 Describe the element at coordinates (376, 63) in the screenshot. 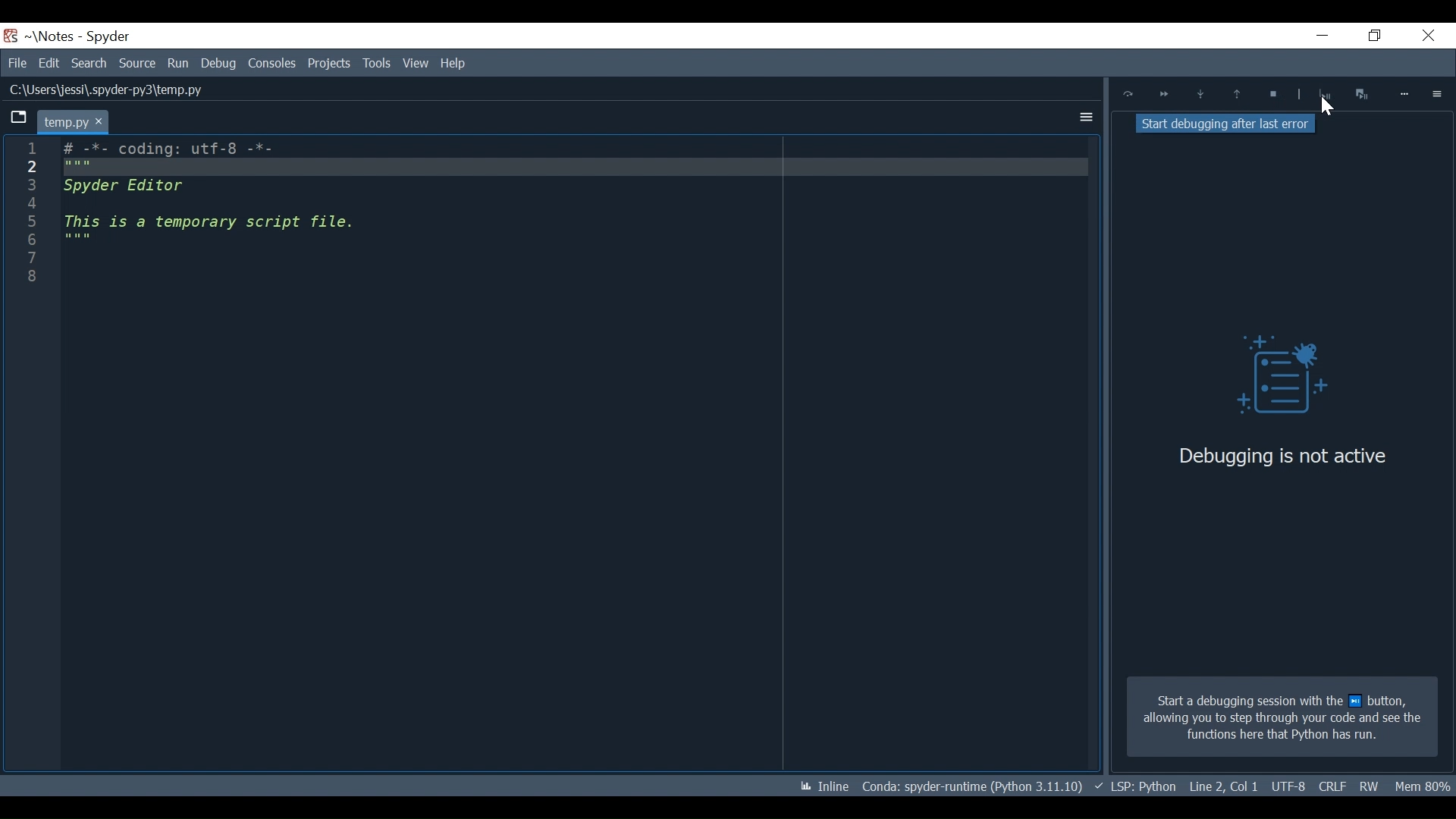

I see `View` at that location.